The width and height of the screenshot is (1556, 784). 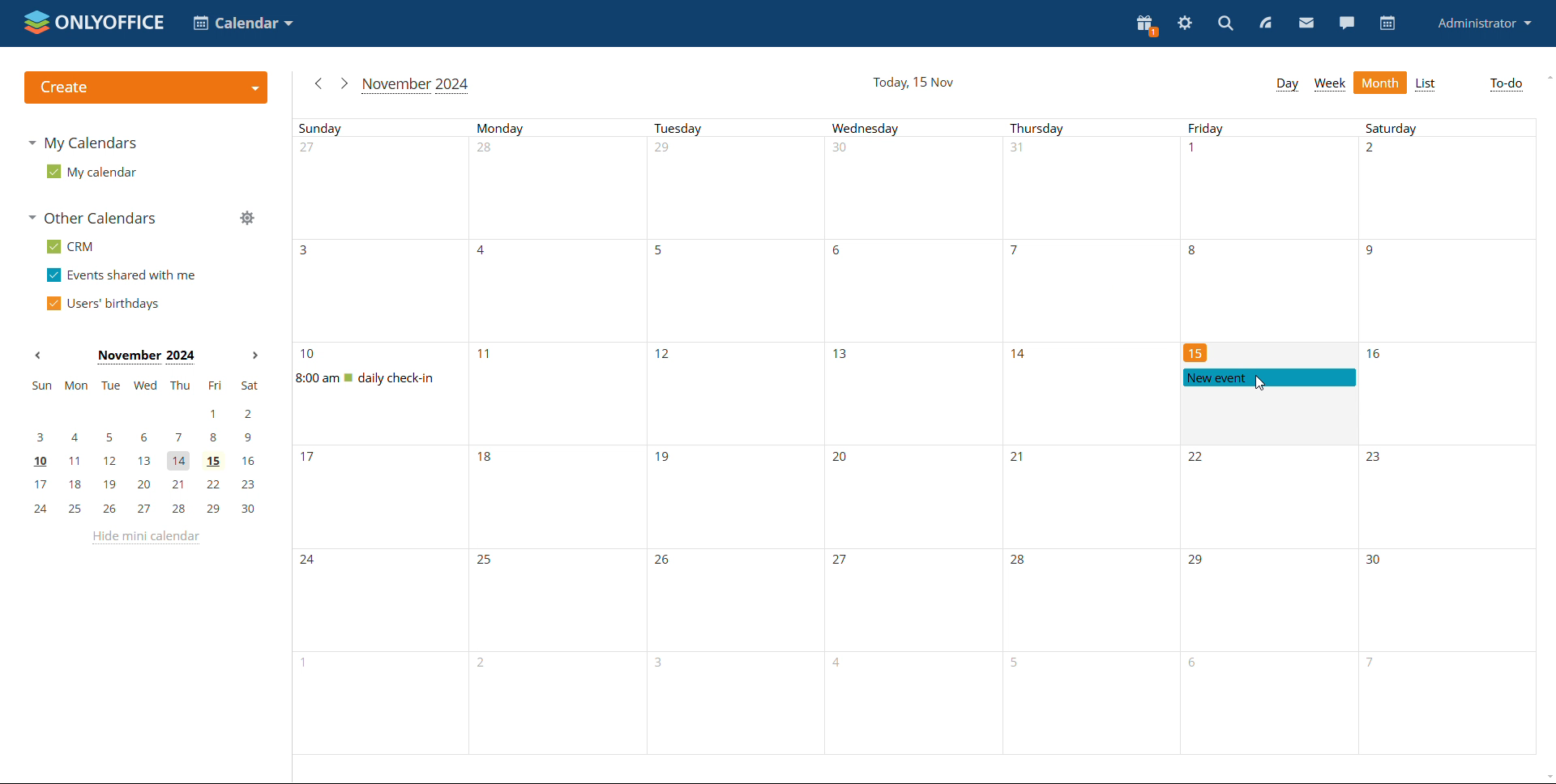 I want to click on Number, so click(x=1370, y=253).